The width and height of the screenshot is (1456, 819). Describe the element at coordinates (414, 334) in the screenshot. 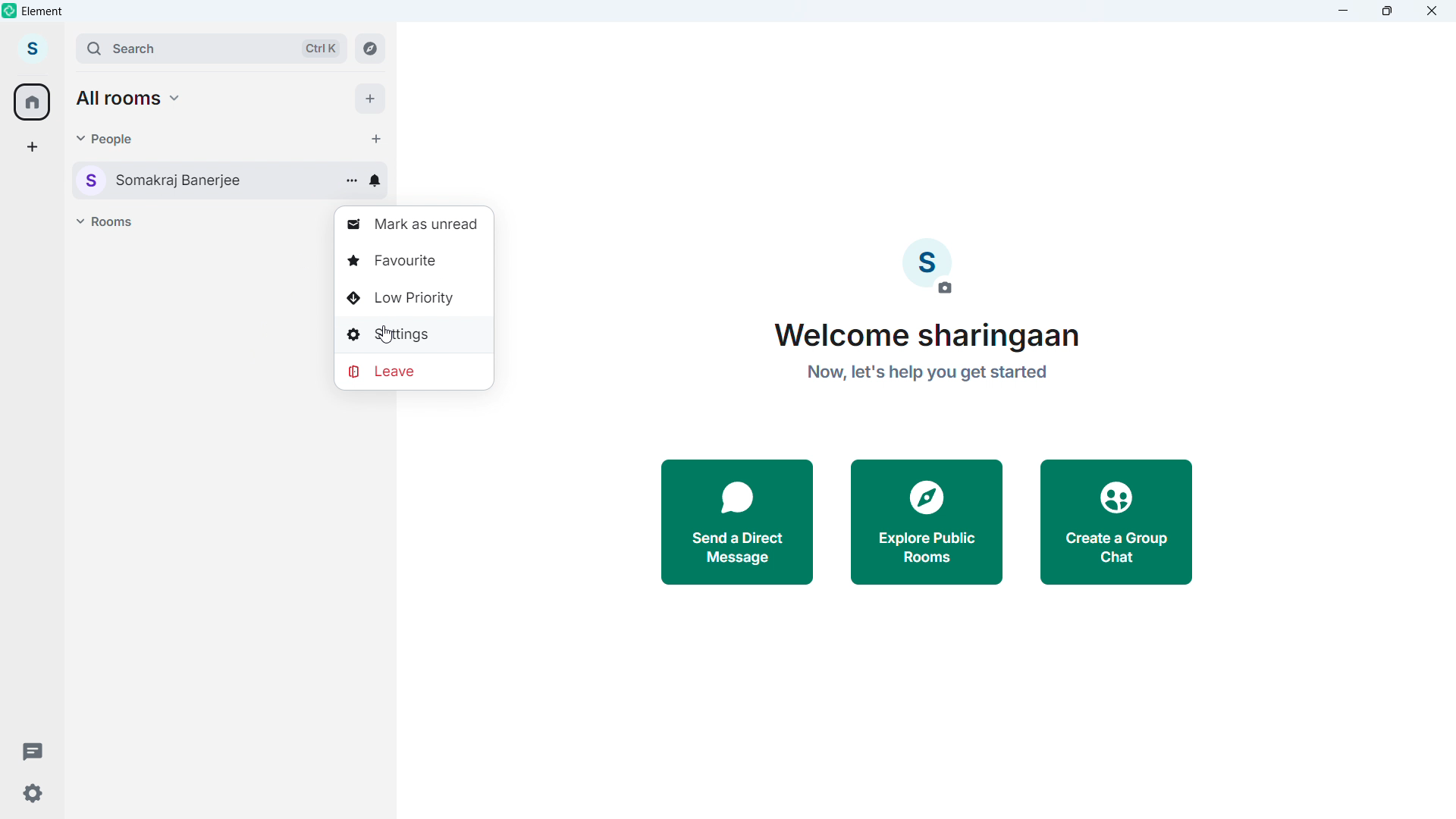

I see `Settings ` at that location.